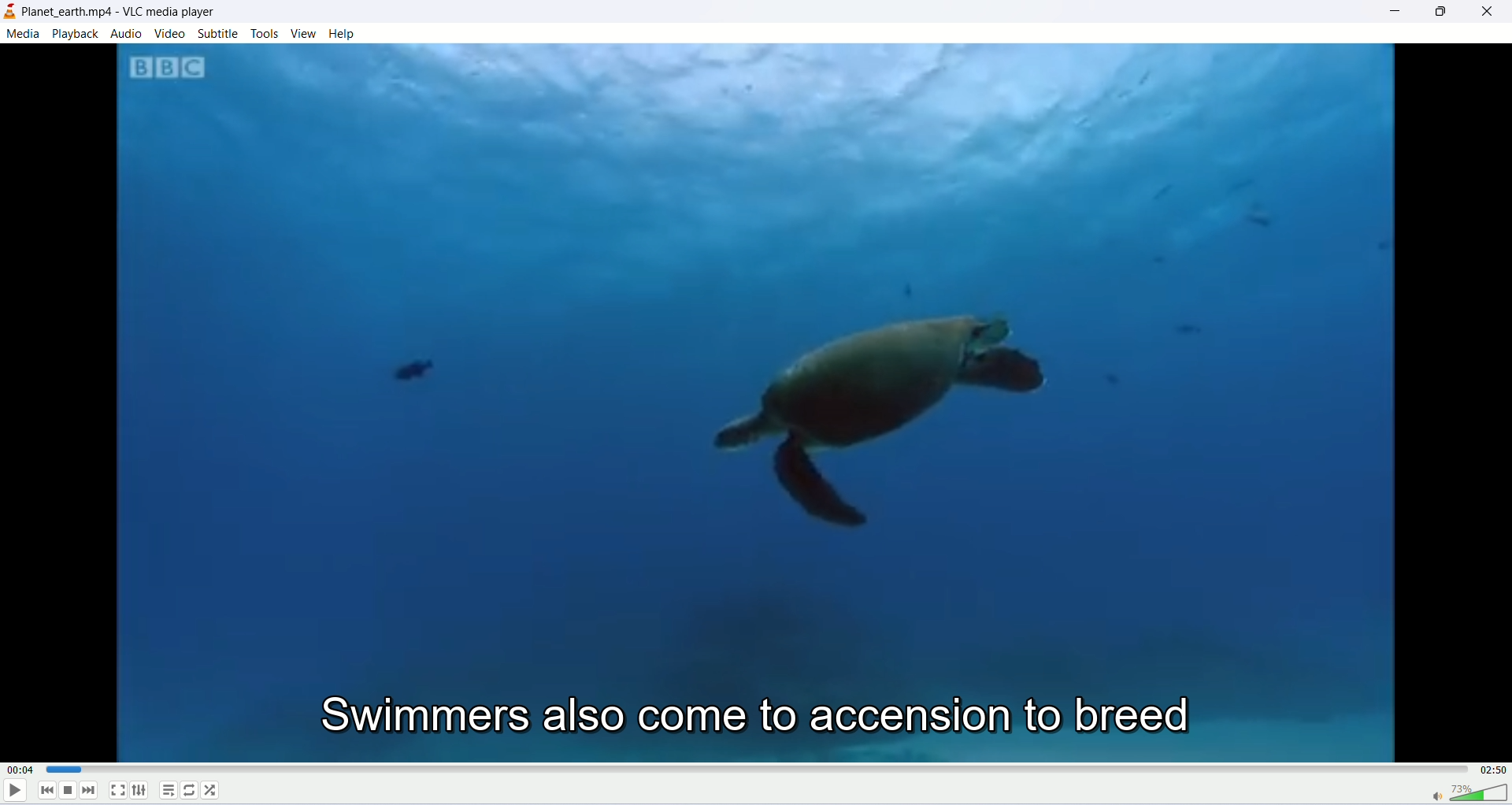 This screenshot has height=805, width=1512. I want to click on planet earth.mp4-llc player, so click(125, 9).